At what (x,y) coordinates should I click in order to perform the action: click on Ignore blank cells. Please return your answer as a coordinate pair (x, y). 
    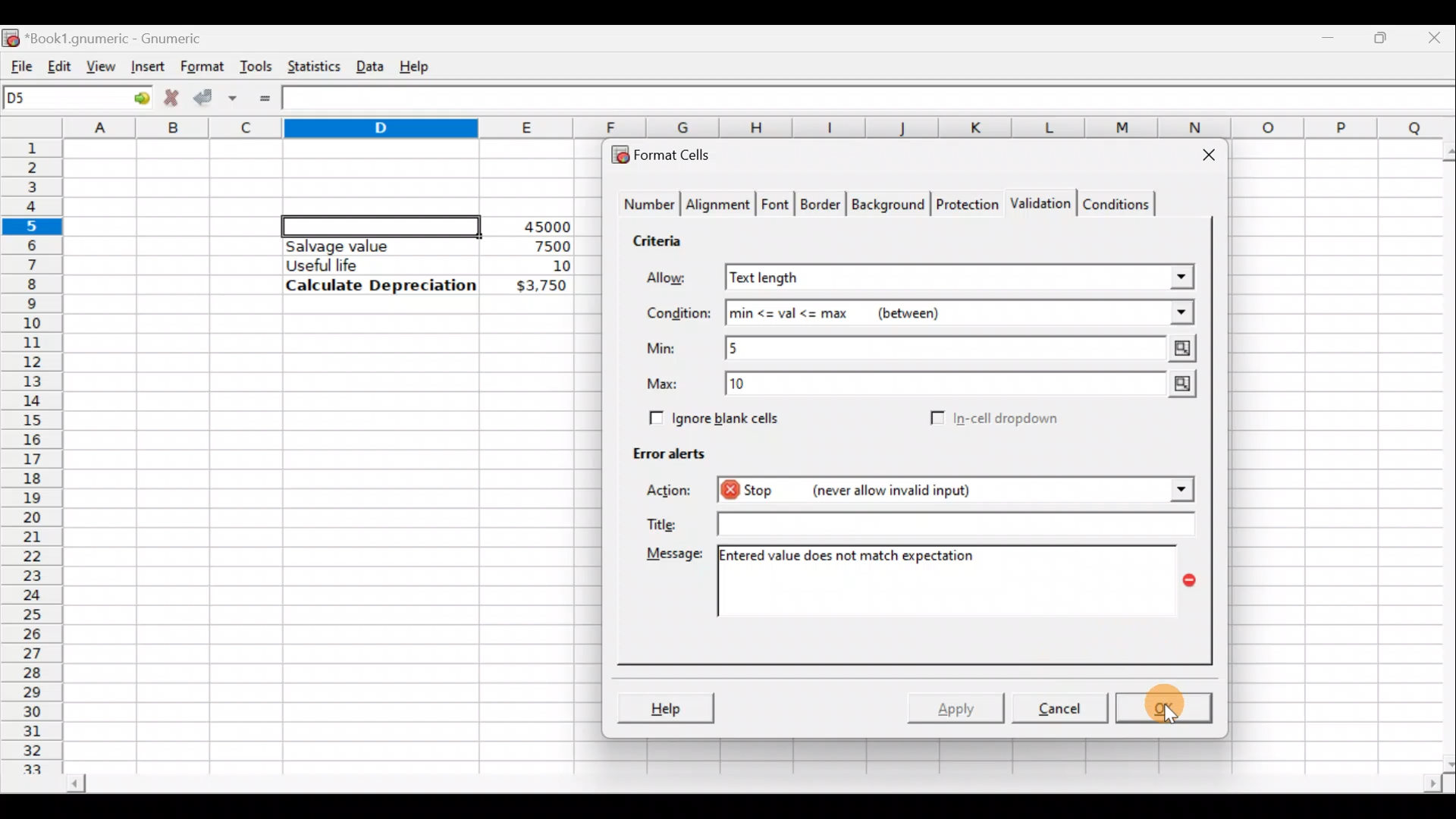
    Looking at the image, I should click on (711, 416).